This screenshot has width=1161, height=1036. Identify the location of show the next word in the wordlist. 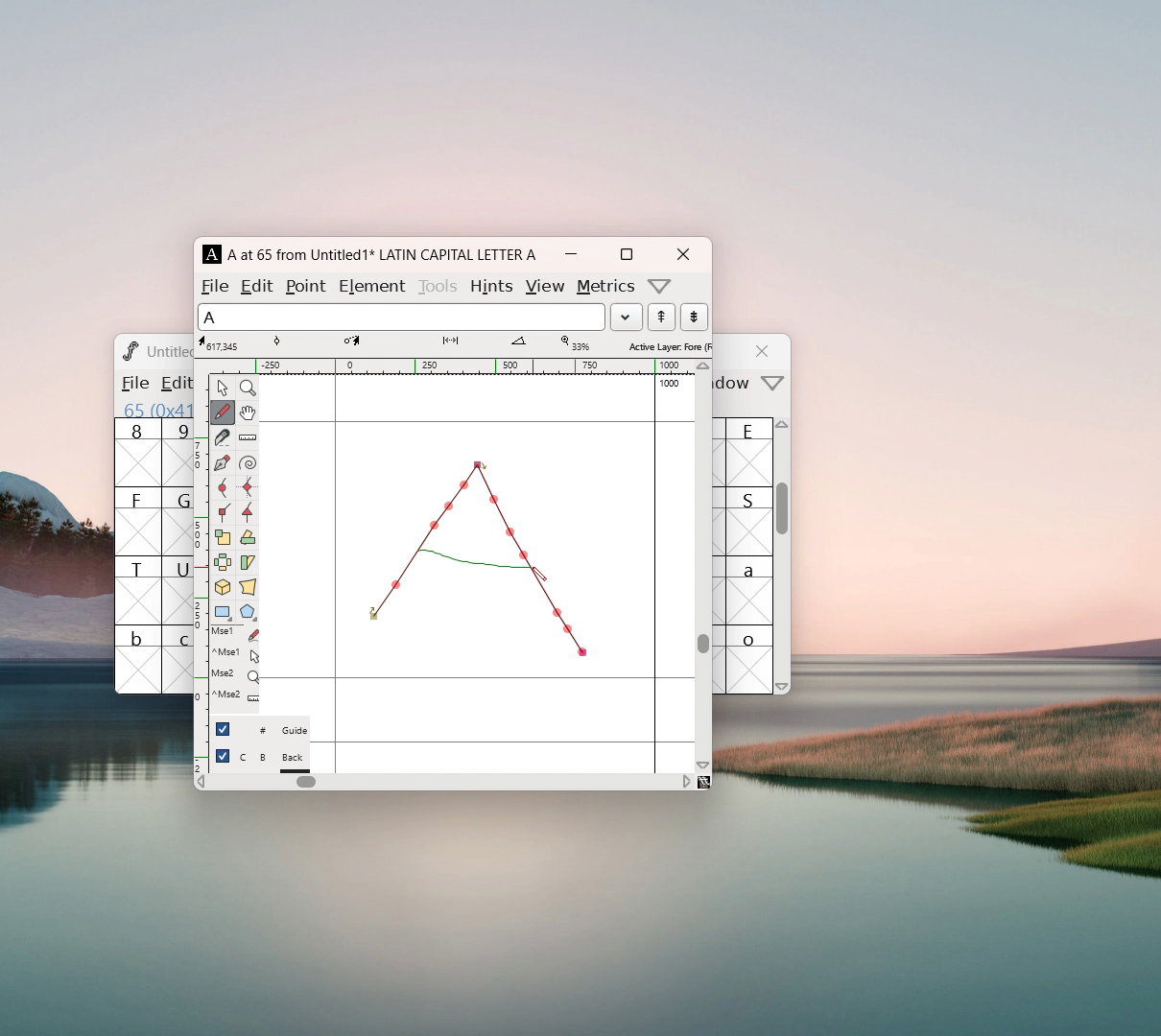
(661, 318).